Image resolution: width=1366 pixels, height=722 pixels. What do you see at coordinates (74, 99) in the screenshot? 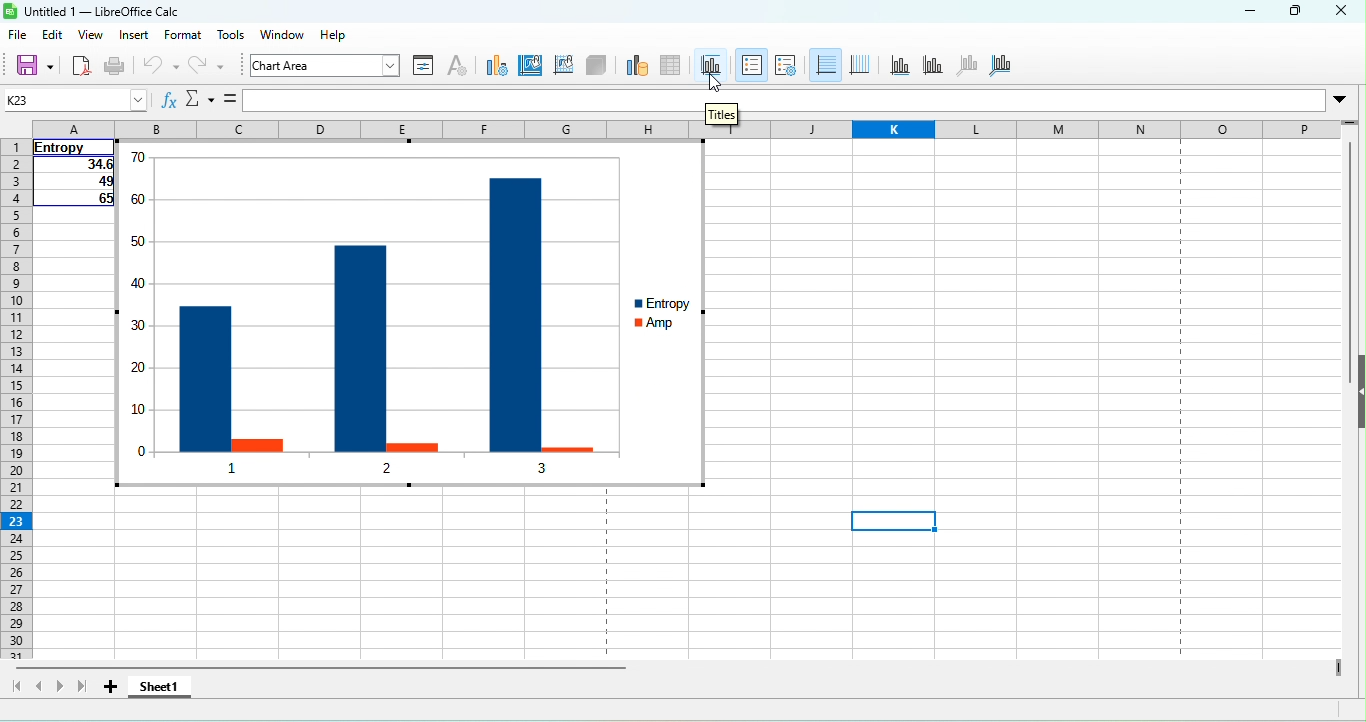
I see `name box (k23)` at bounding box center [74, 99].